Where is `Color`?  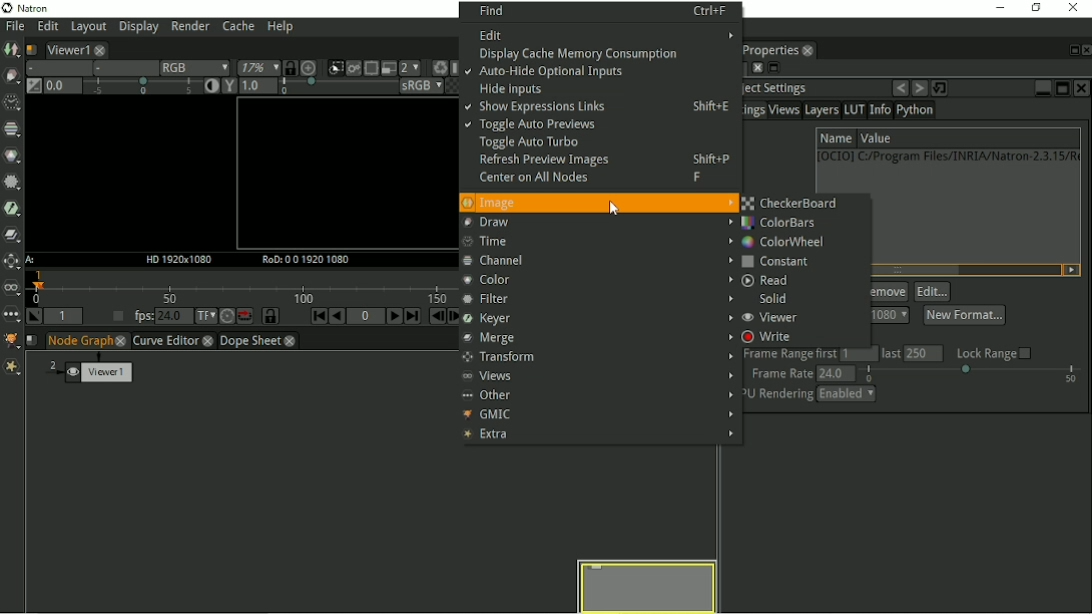 Color is located at coordinates (13, 156).